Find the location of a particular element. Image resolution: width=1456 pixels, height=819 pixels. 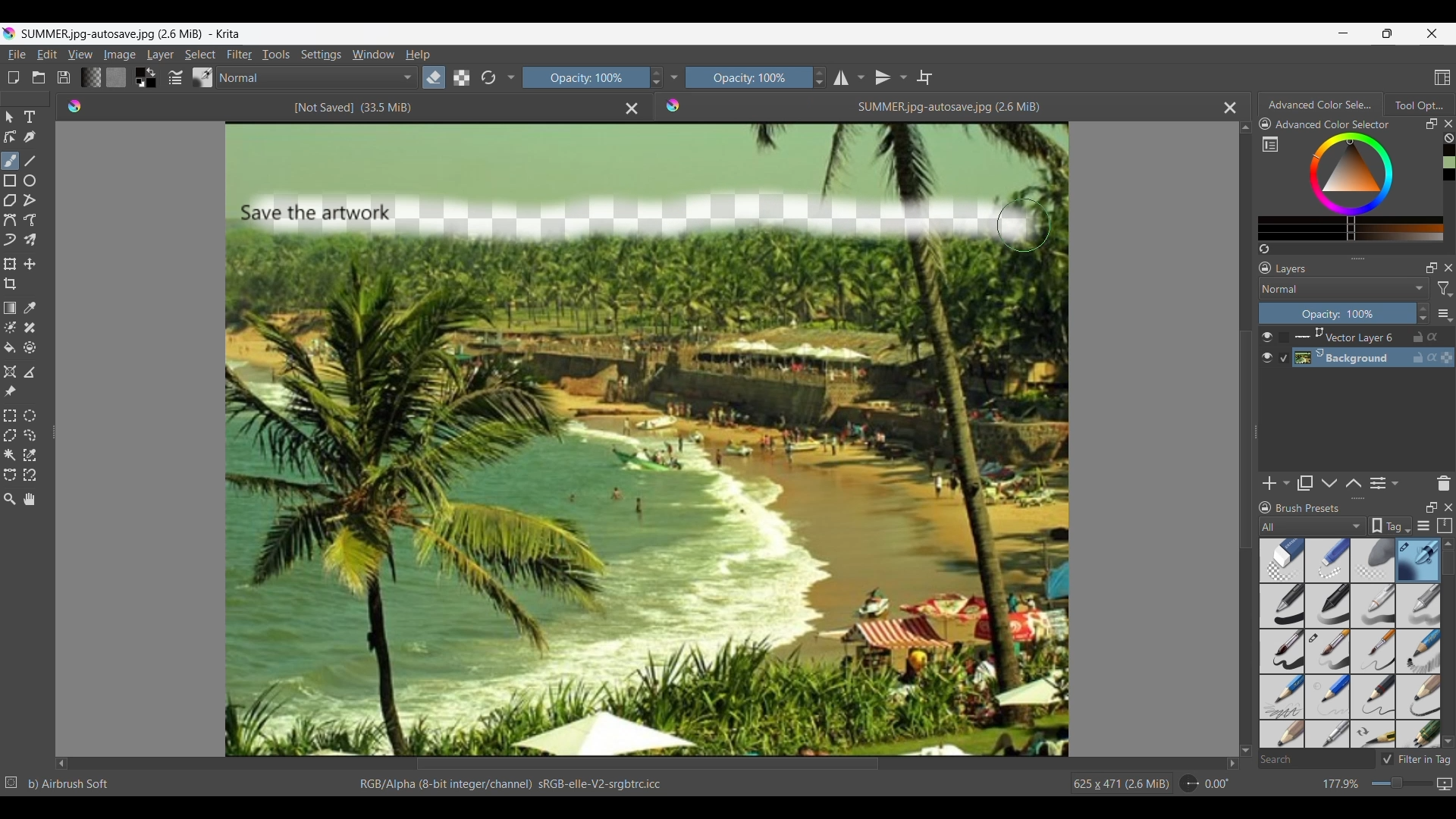

Filter options is located at coordinates (1445, 289).